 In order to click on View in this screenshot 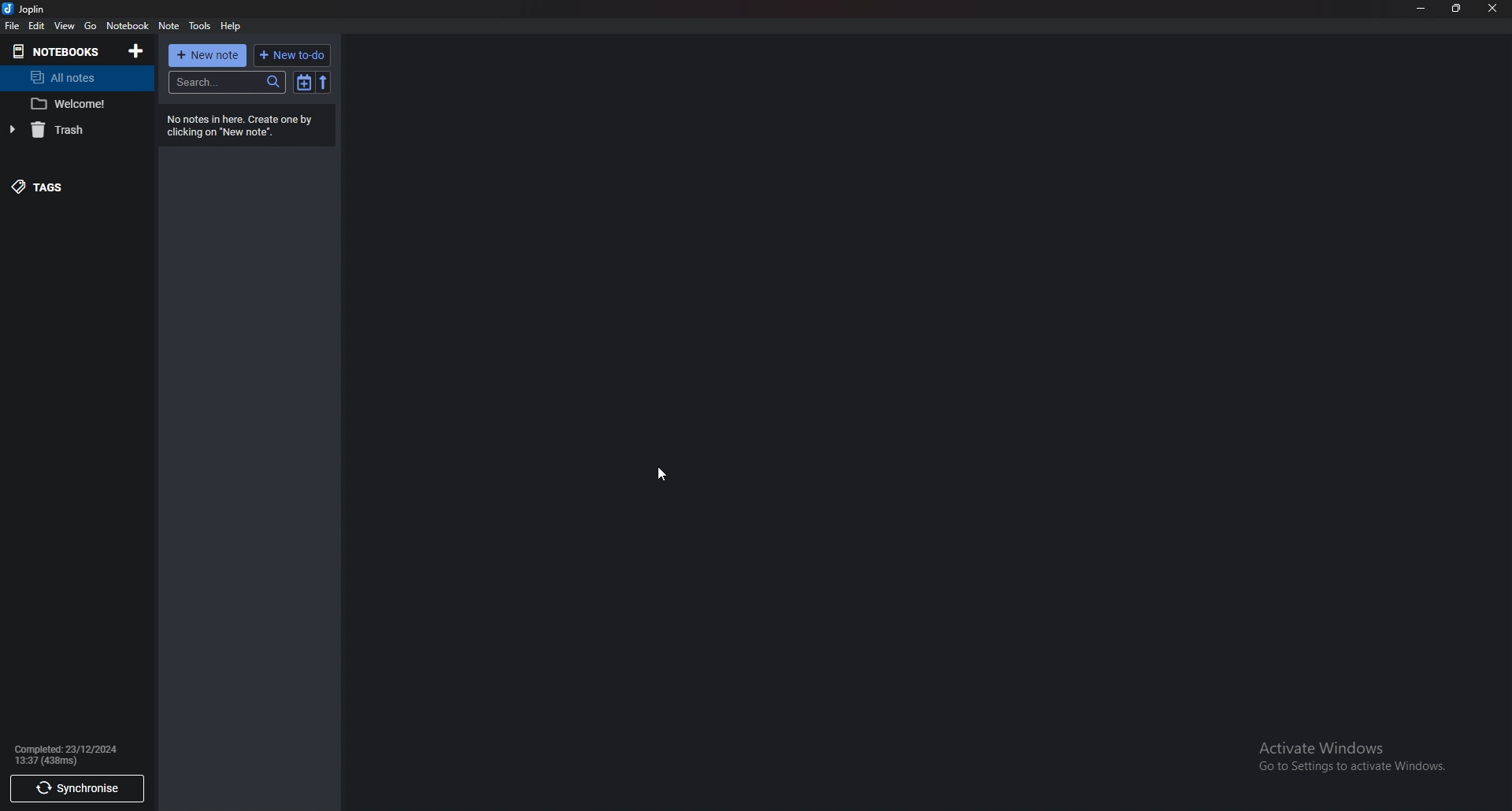, I will do `click(65, 25)`.